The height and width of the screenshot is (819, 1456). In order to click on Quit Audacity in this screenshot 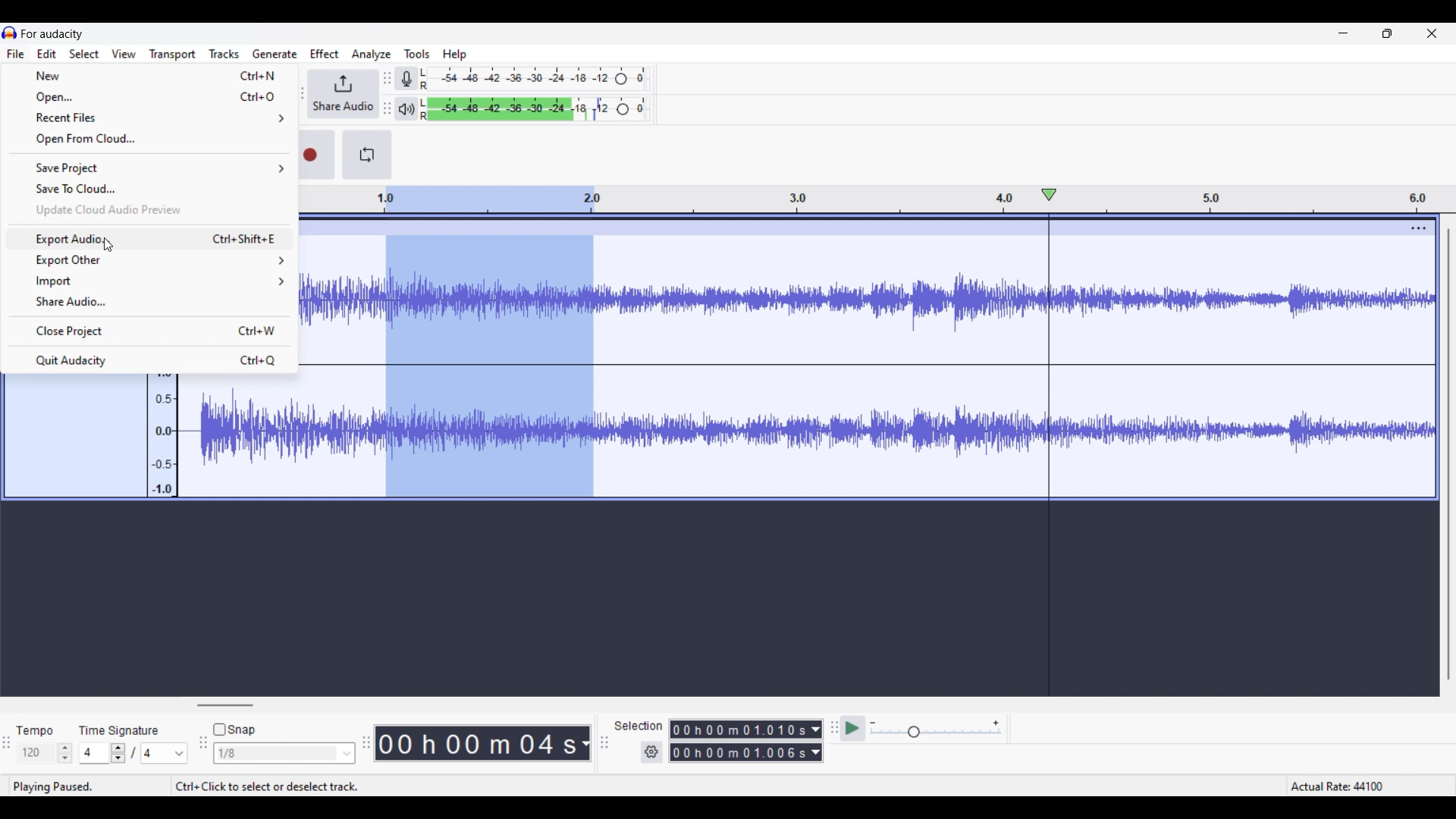, I will do `click(149, 360)`.